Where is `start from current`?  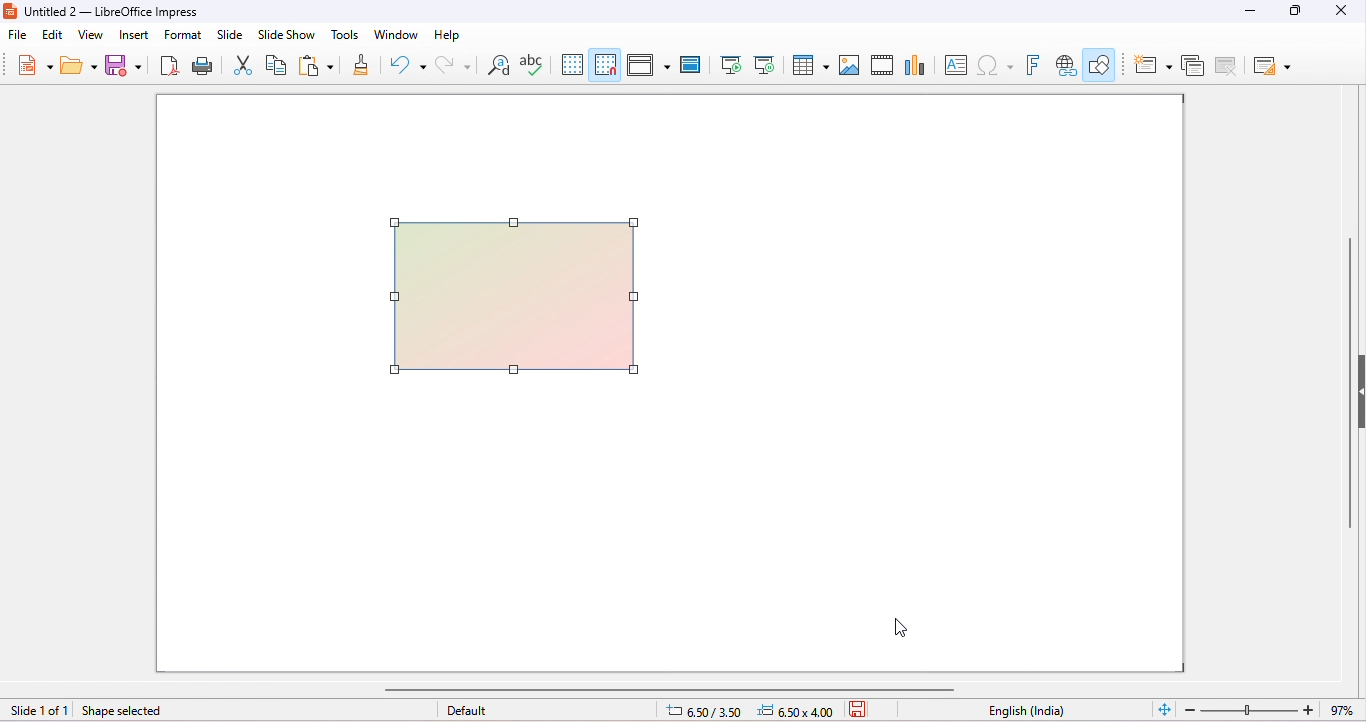
start from current is located at coordinates (764, 64).